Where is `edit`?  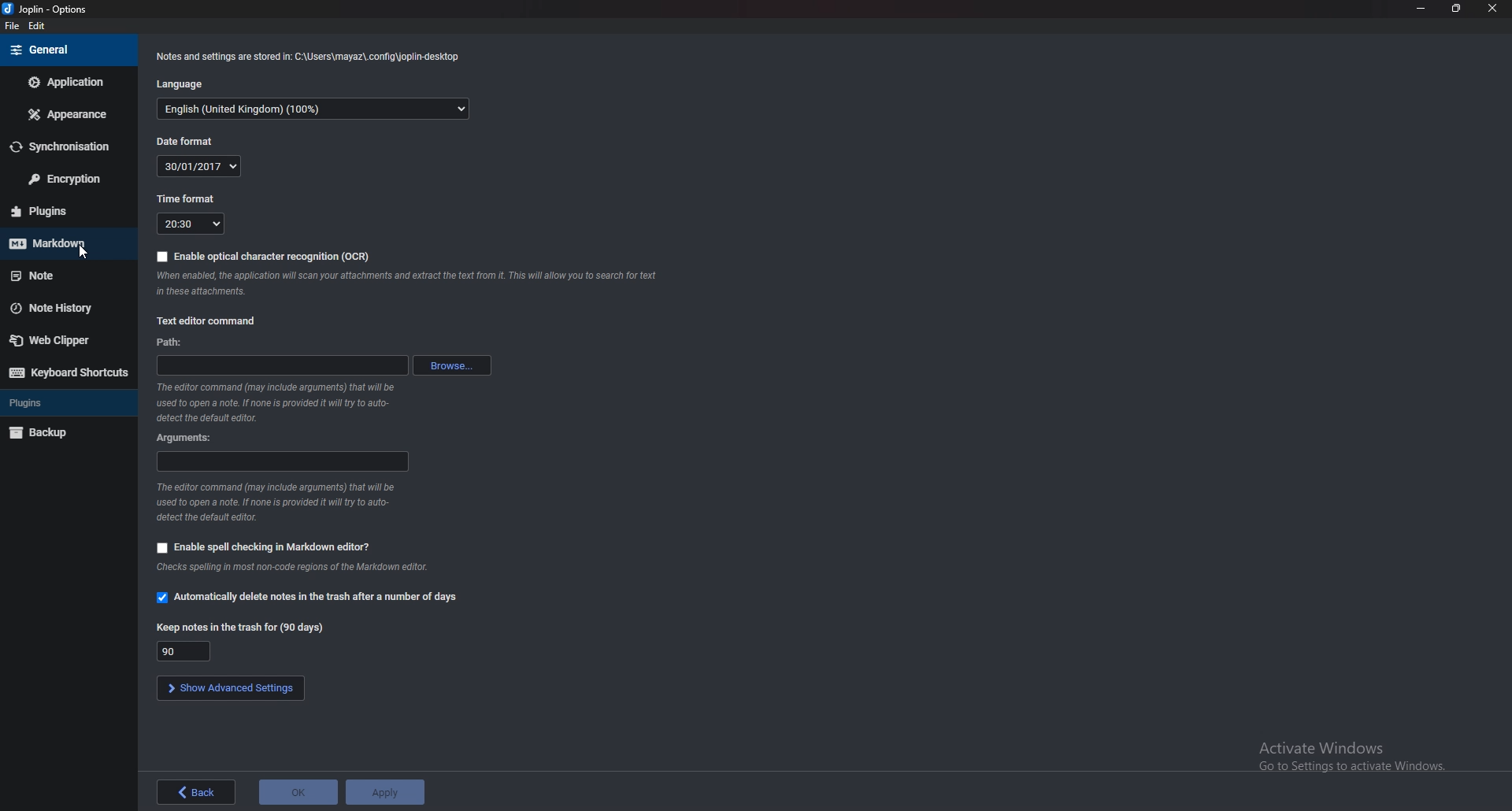
edit is located at coordinates (46, 25).